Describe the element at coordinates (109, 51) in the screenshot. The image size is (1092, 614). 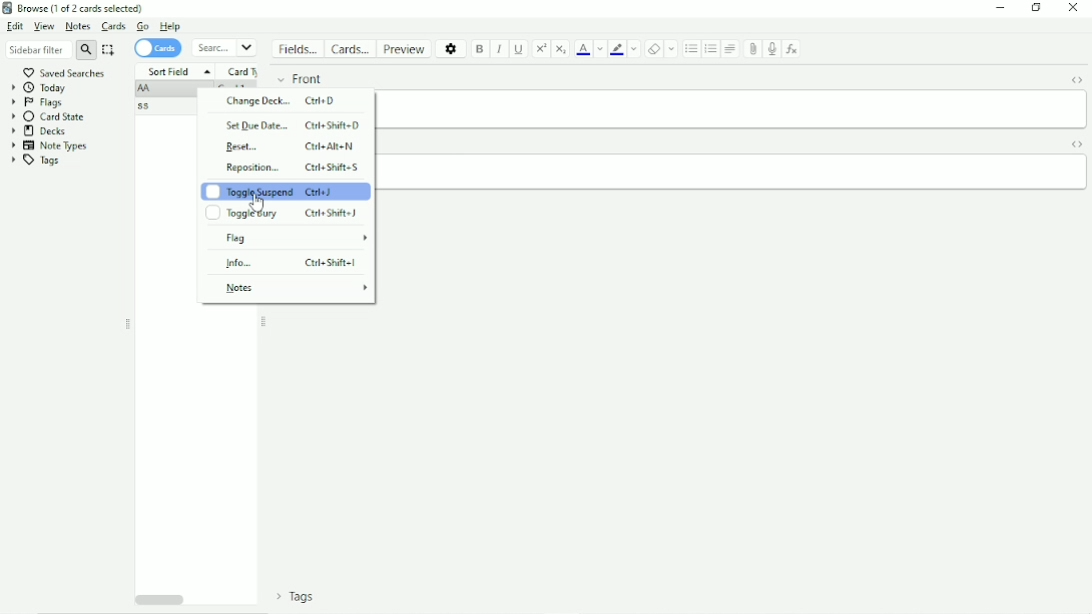
I see `Select` at that location.